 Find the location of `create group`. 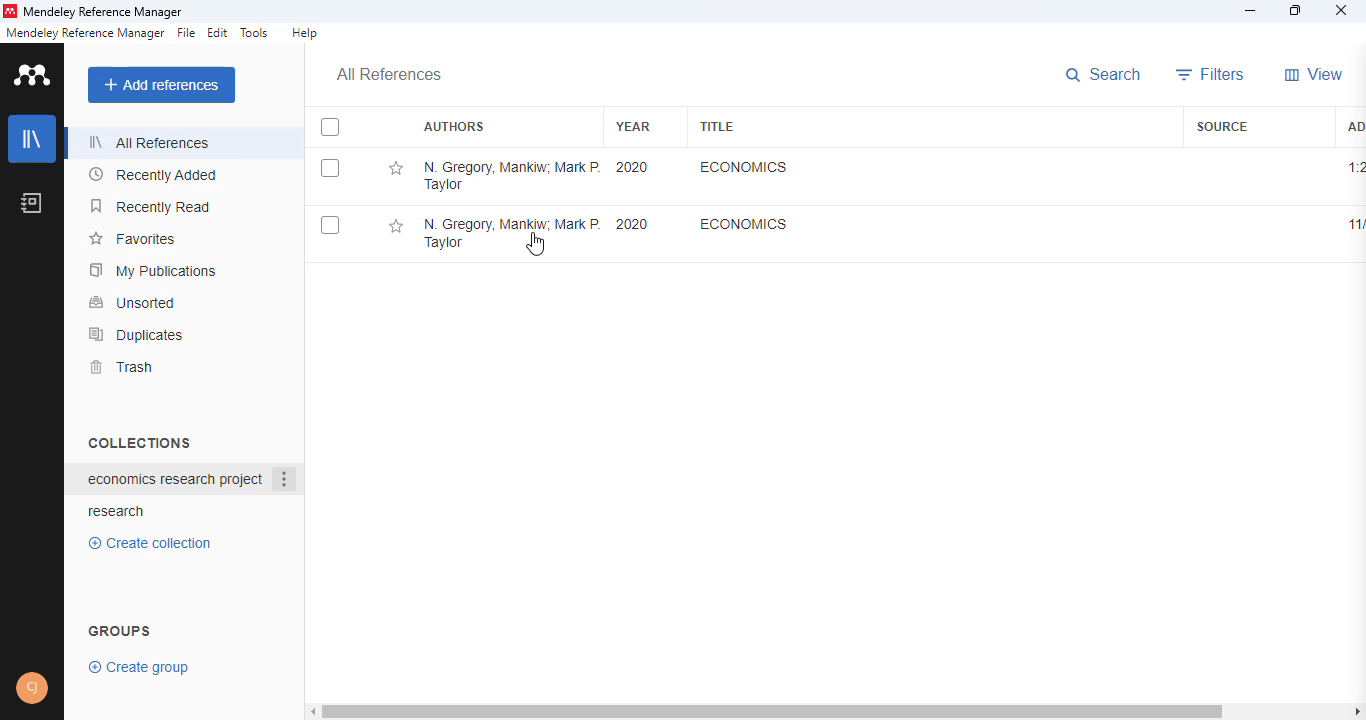

create group is located at coordinates (141, 666).